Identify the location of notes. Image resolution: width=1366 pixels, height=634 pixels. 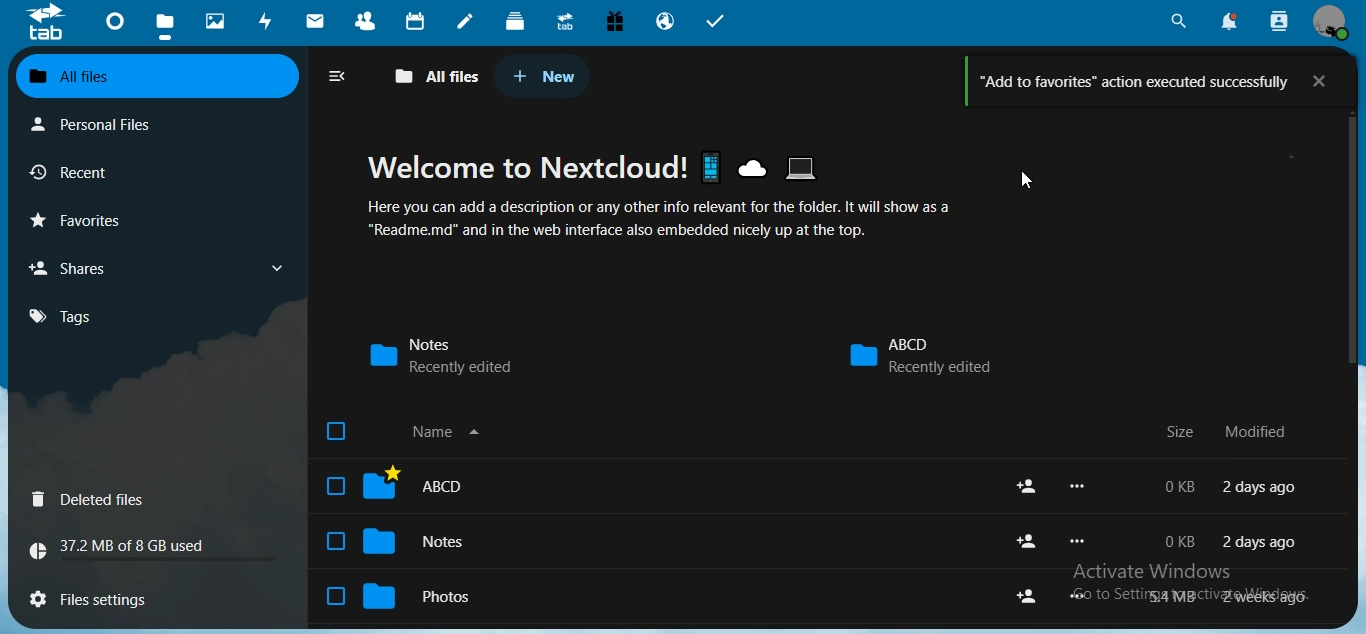
(455, 355).